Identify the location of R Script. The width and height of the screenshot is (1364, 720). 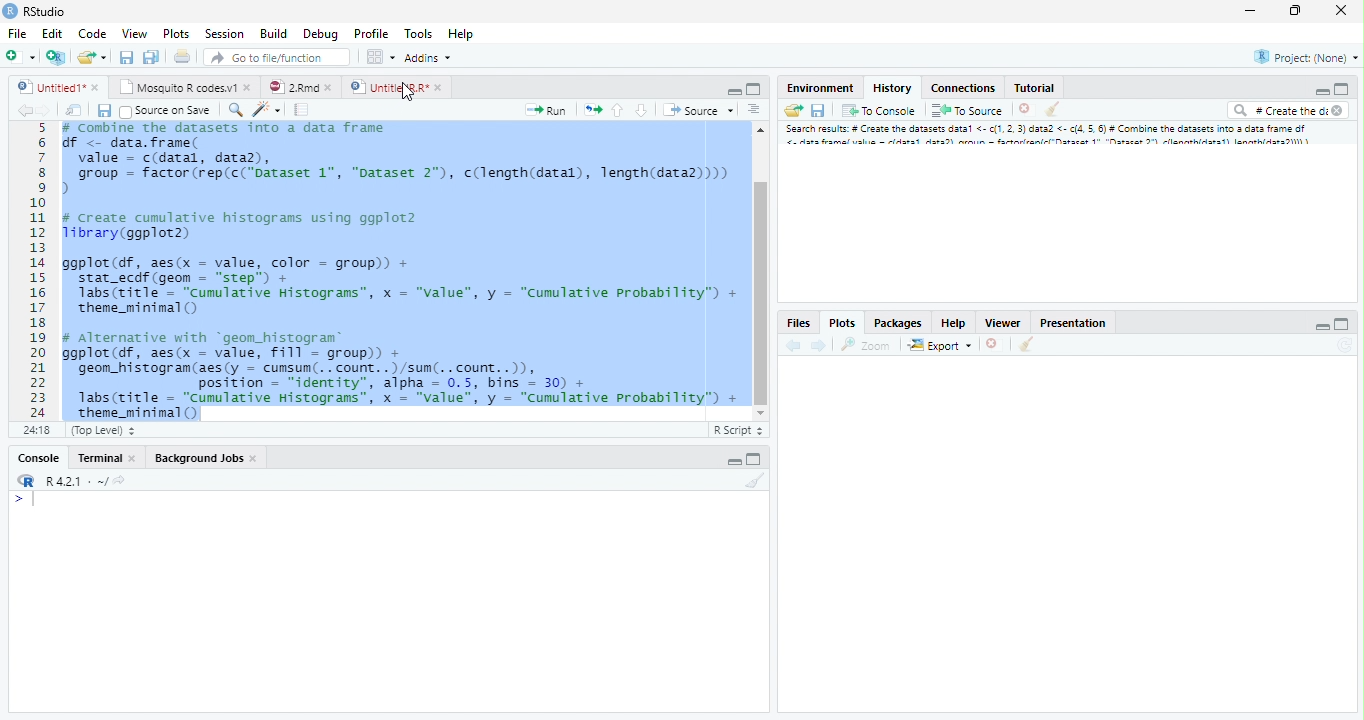
(738, 430).